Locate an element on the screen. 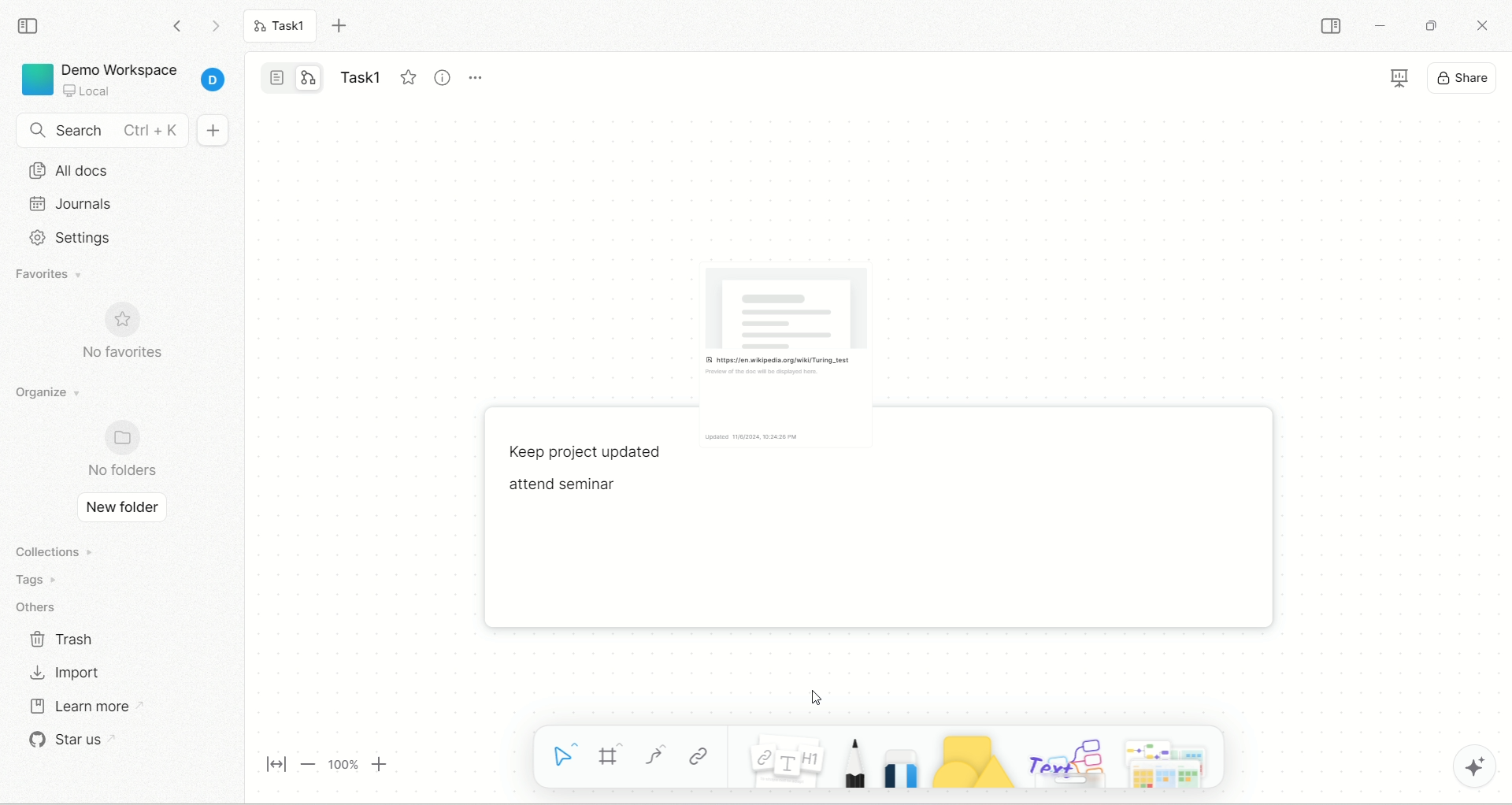  project - Demo Workspace is located at coordinates (124, 76).